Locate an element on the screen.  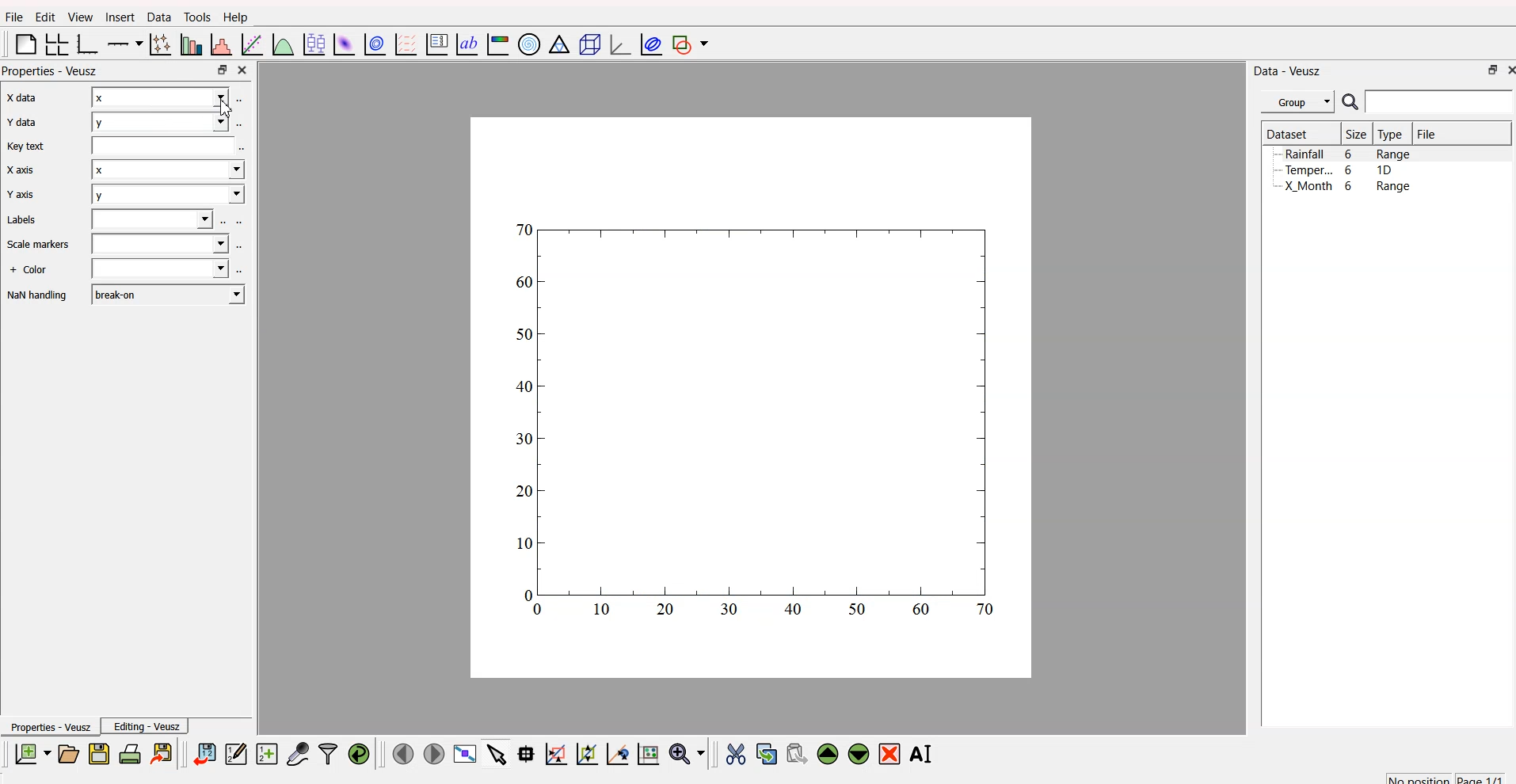
view plot full screen is located at coordinates (465, 754).